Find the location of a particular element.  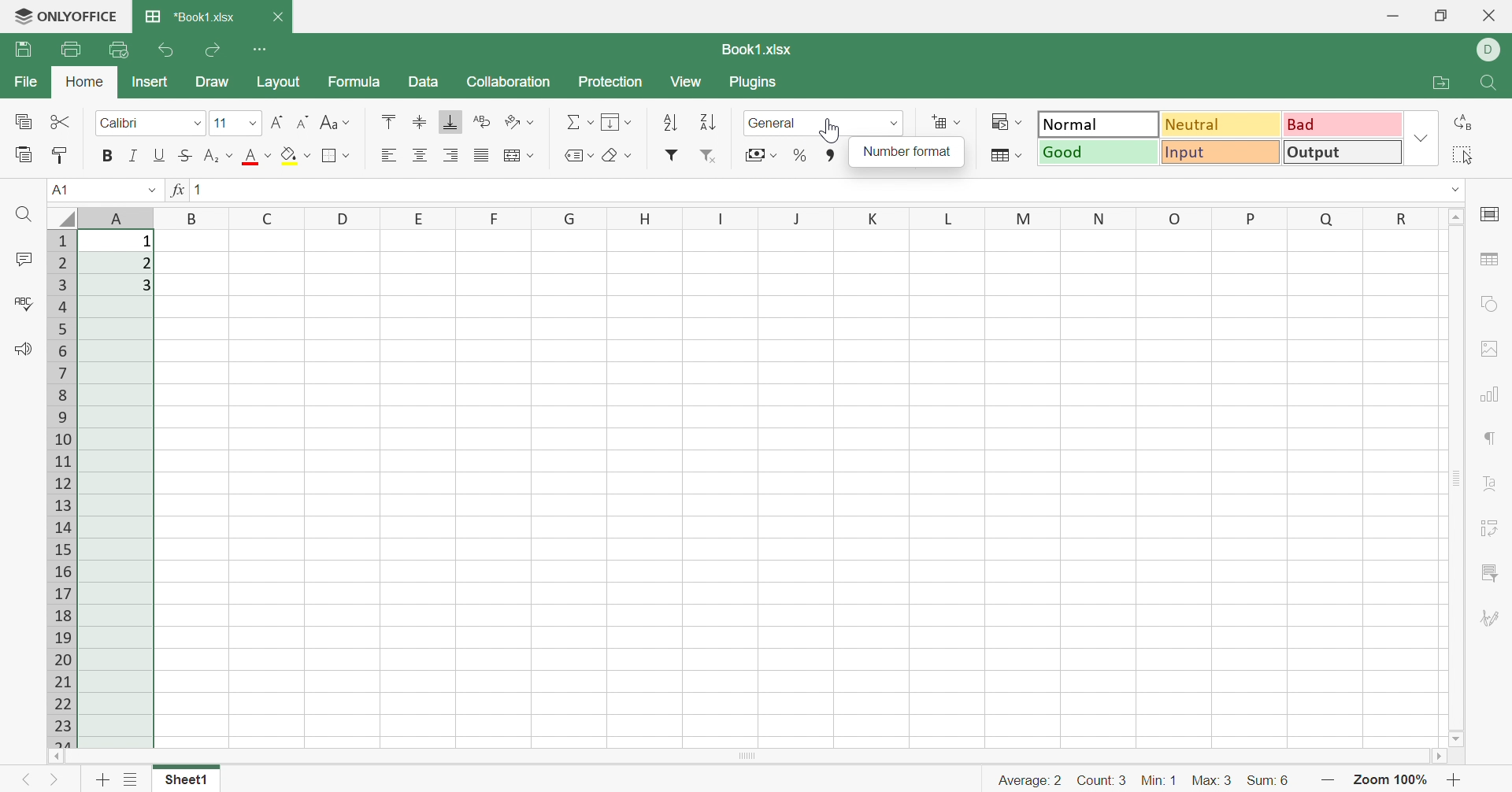

Select all is located at coordinates (1463, 154).